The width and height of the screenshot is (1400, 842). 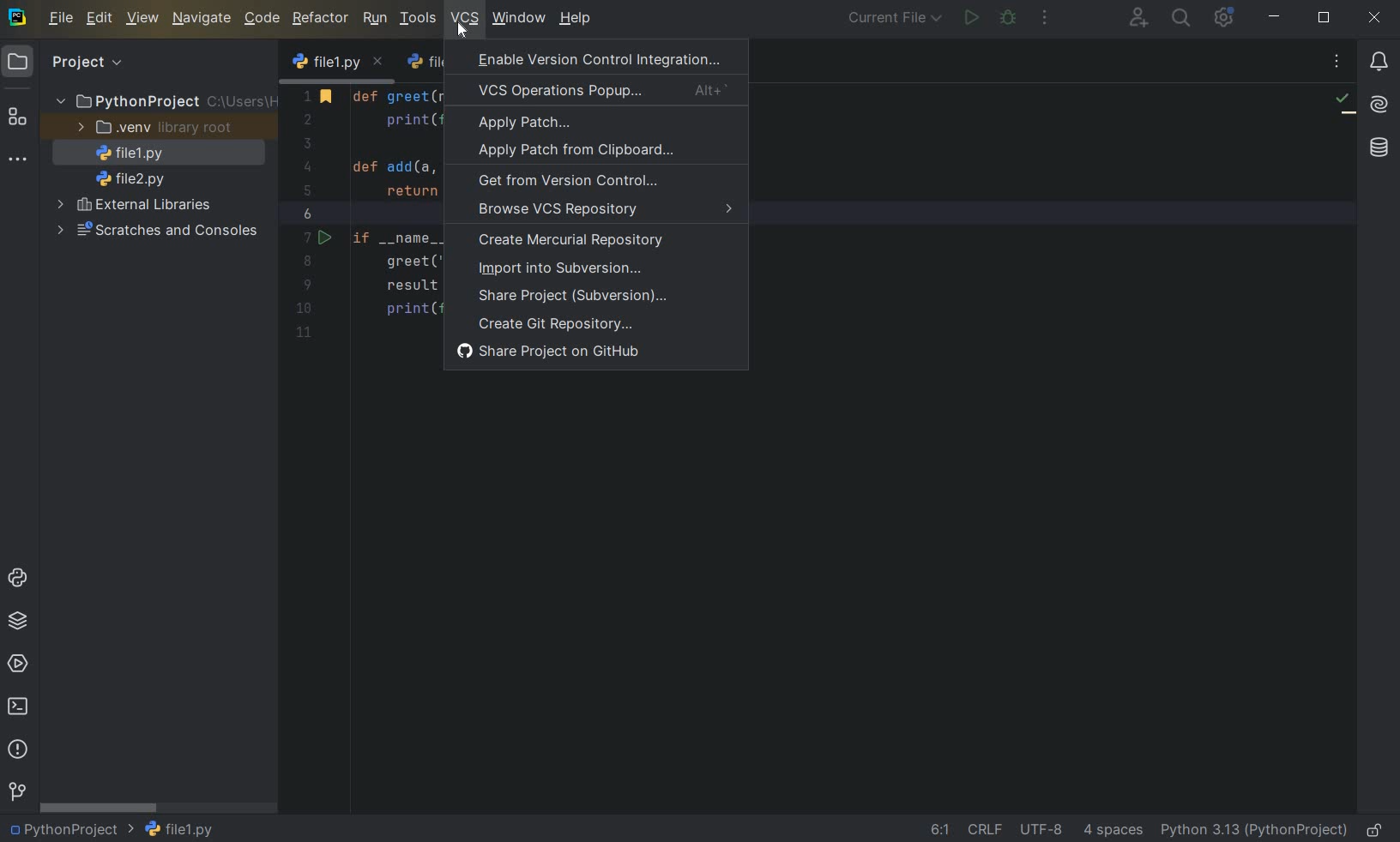 What do you see at coordinates (1377, 146) in the screenshot?
I see `database` at bounding box center [1377, 146].